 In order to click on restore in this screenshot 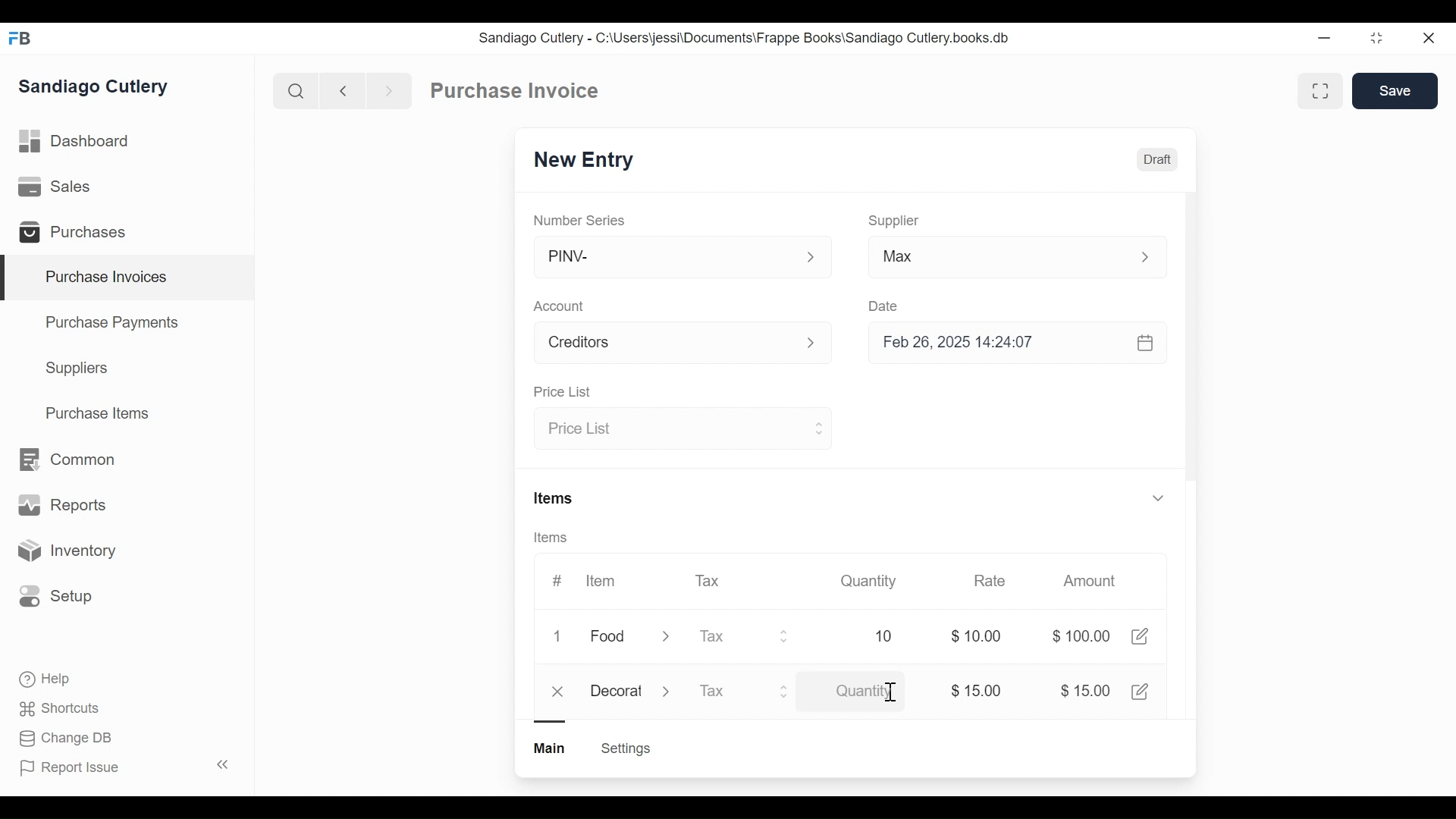, I will do `click(1375, 39)`.